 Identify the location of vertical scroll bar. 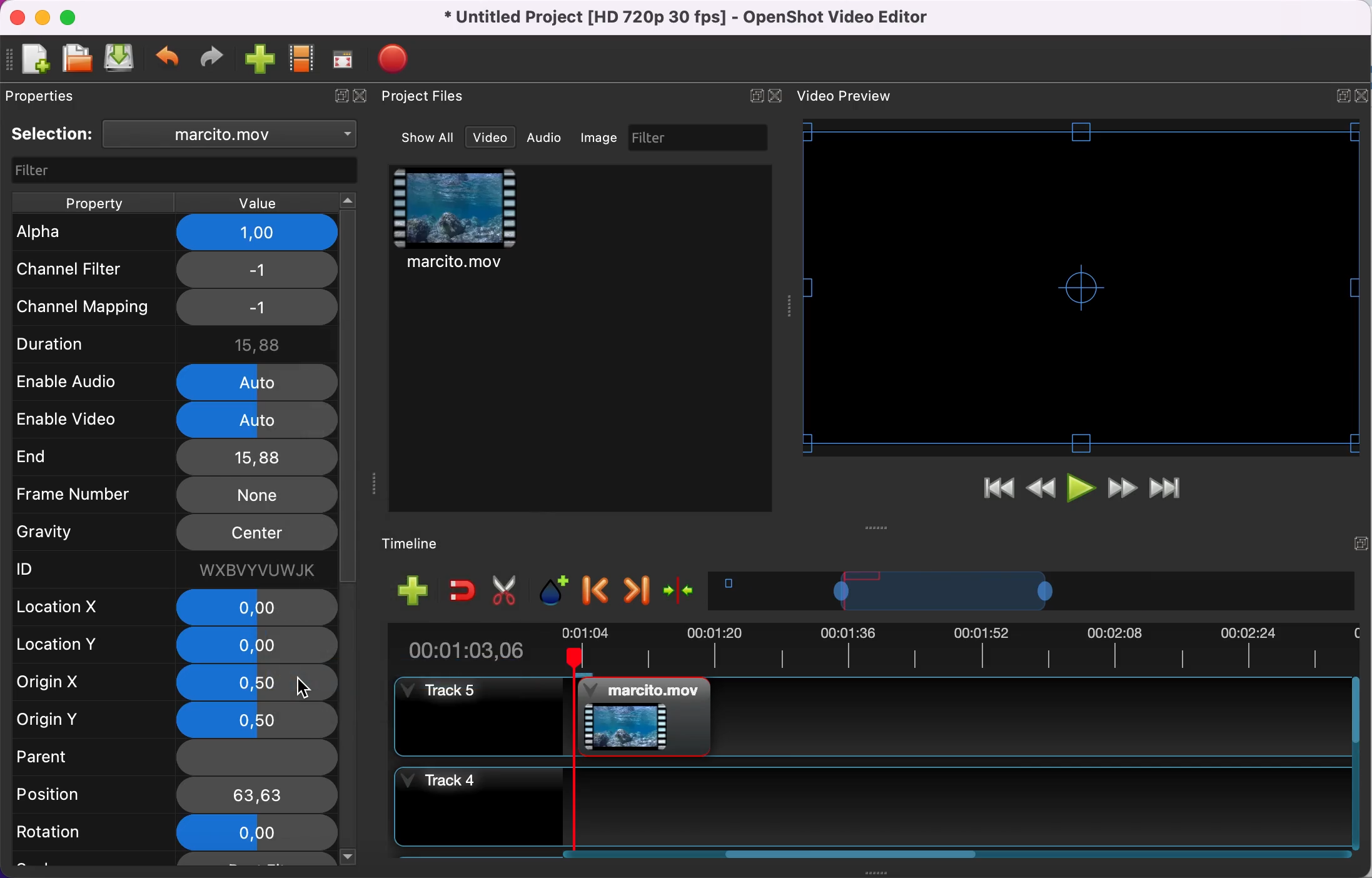
(350, 669).